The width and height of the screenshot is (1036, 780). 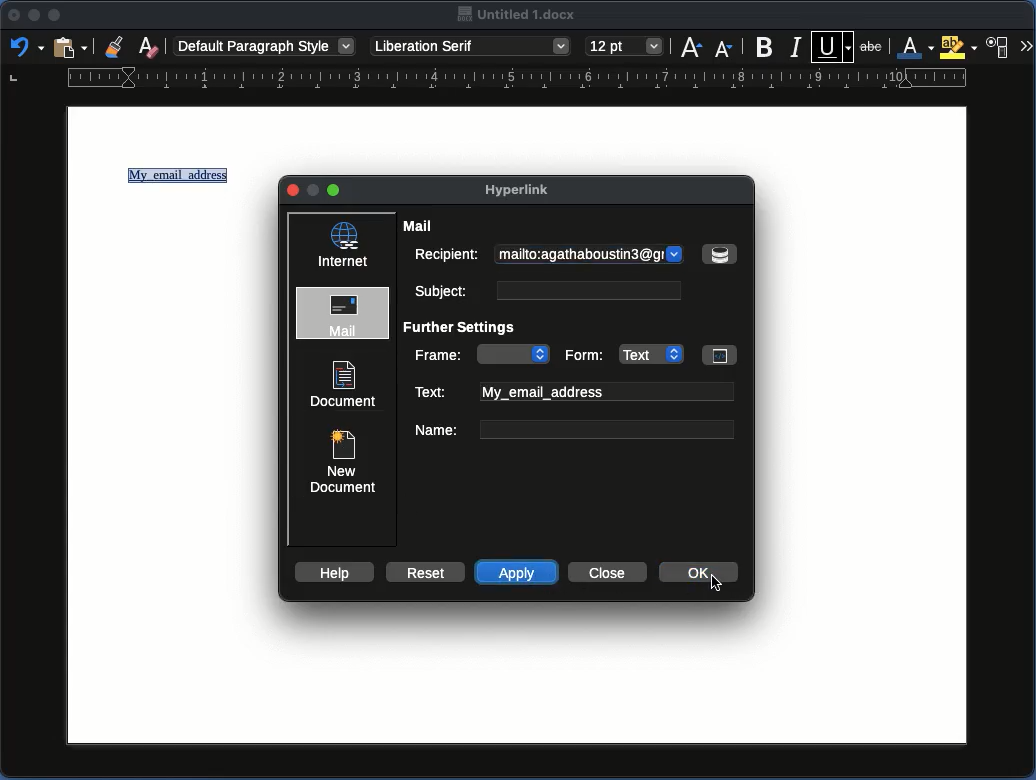 What do you see at coordinates (719, 254) in the screenshot?
I see `Symbol` at bounding box center [719, 254].